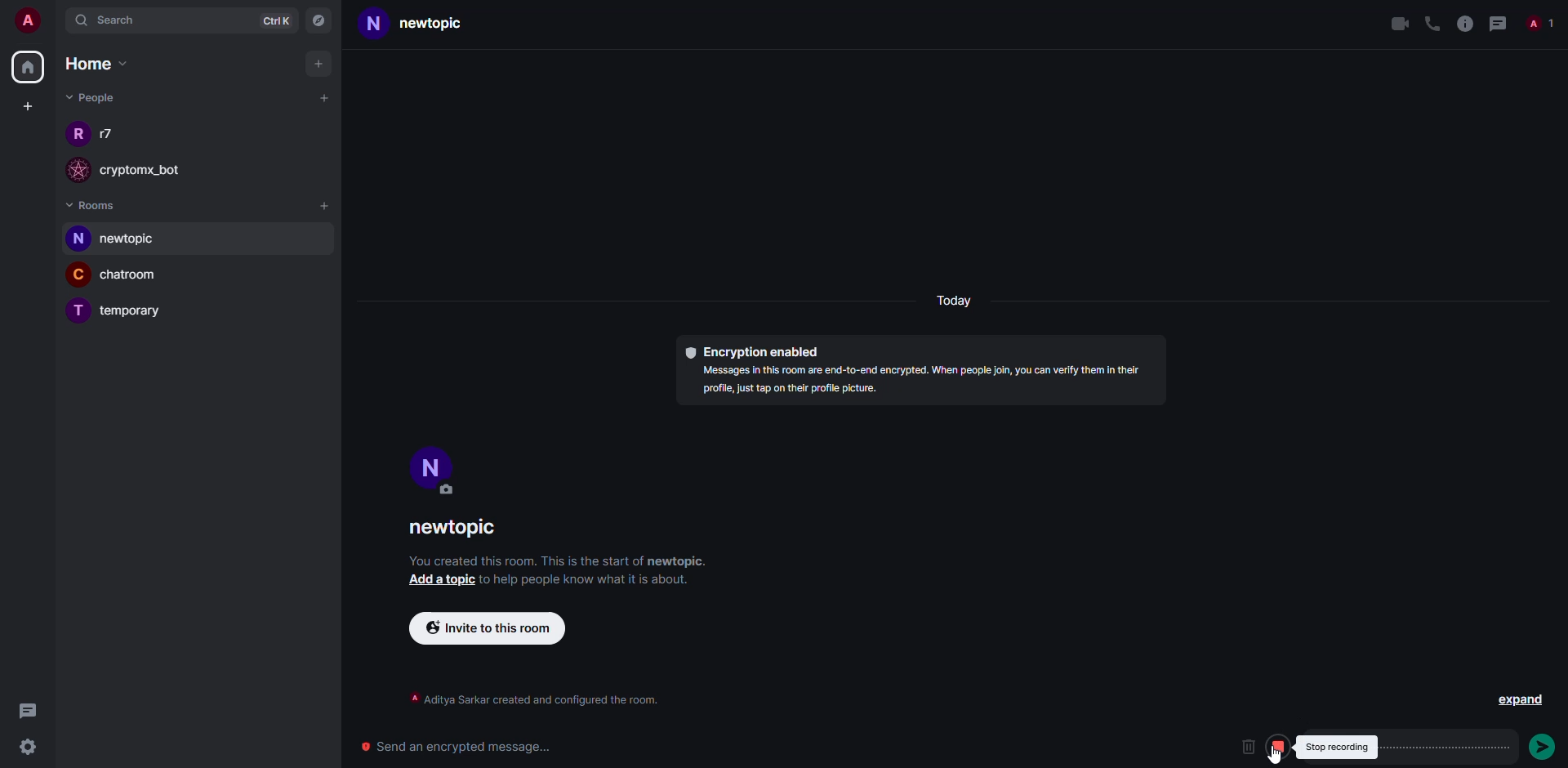 The width and height of the screenshot is (1568, 768). What do you see at coordinates (1540, 23) in the screenshot?
I see `people` at bounding box center [1540, 23].